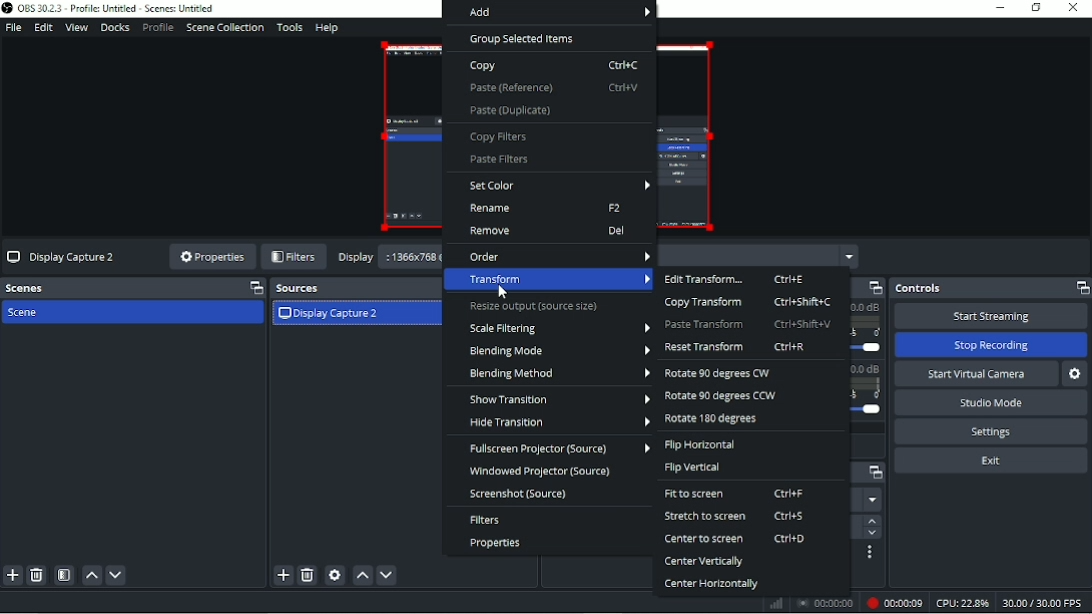 The height and width of the screenshot is (614, 1092). Describe the element at coordinates (43, 28) in the screenshot. I see `Edit` at that location.